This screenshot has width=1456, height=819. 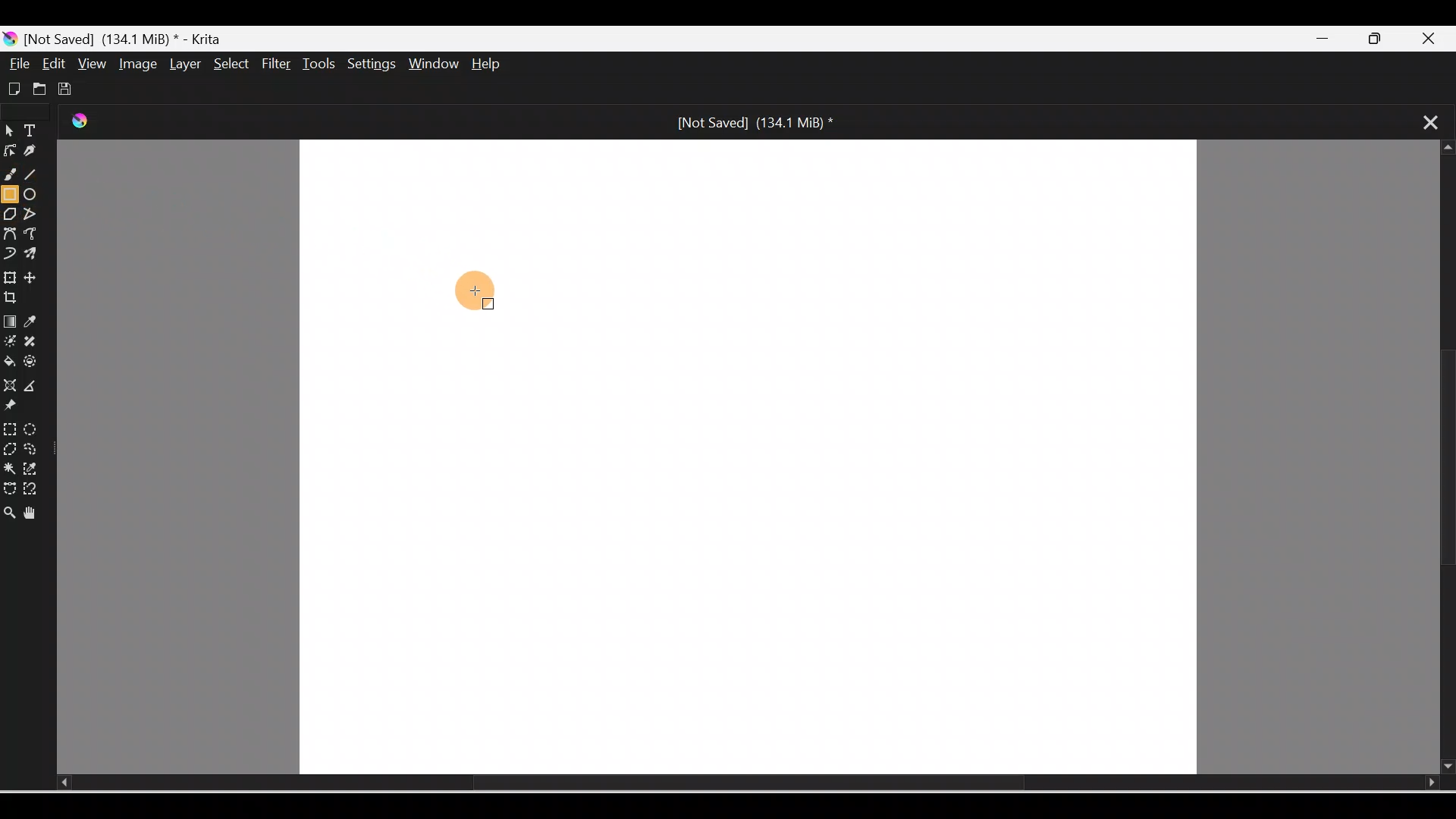 What do you see at coordinates (9, 426) in the screenshot?
I see `Rectangular selection tool` at bounding box center [9, 426].